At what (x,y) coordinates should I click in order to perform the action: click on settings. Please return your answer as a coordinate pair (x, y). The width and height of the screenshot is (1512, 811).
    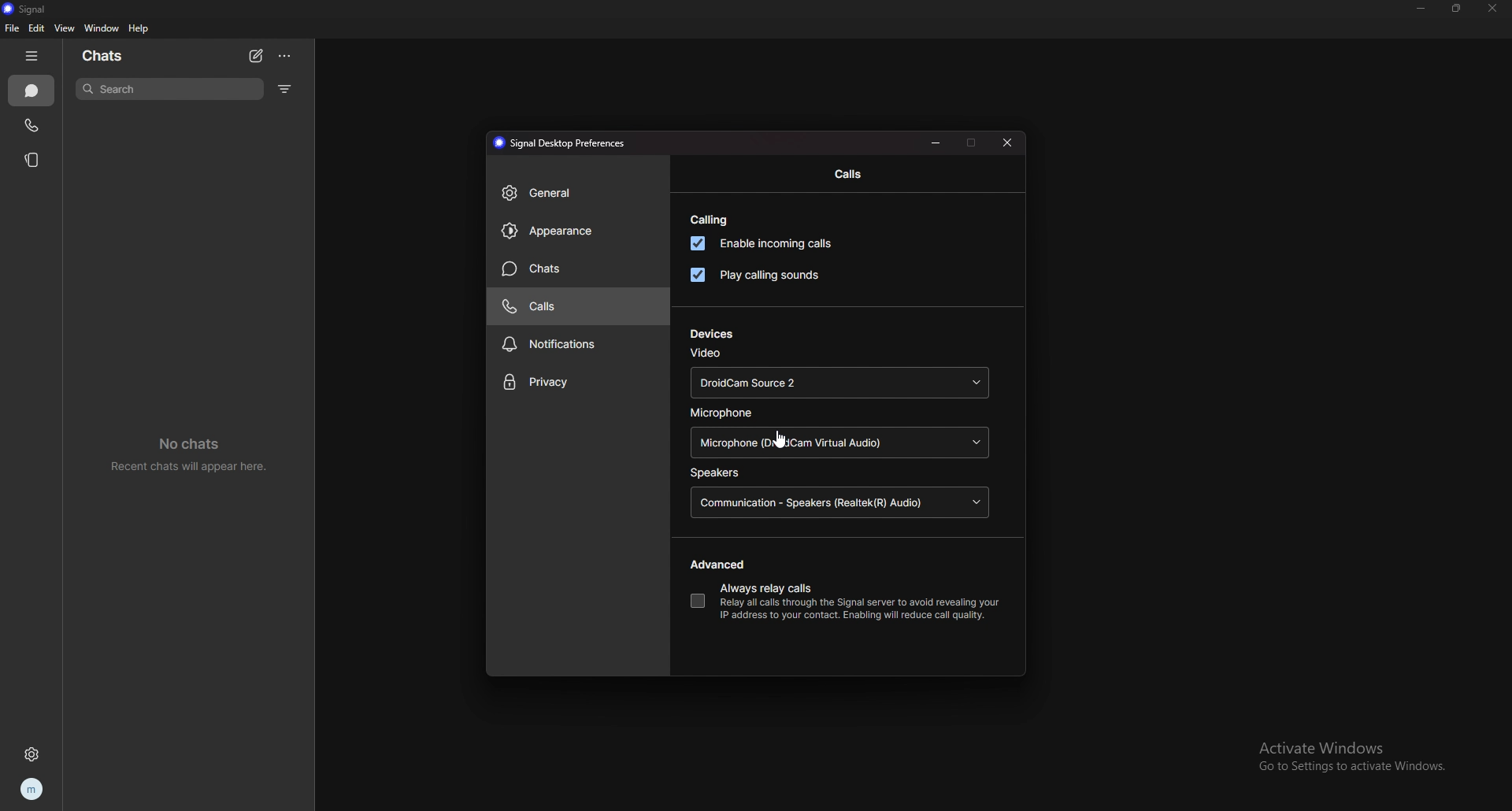
    Looking at the image, I should click on (35, 754).